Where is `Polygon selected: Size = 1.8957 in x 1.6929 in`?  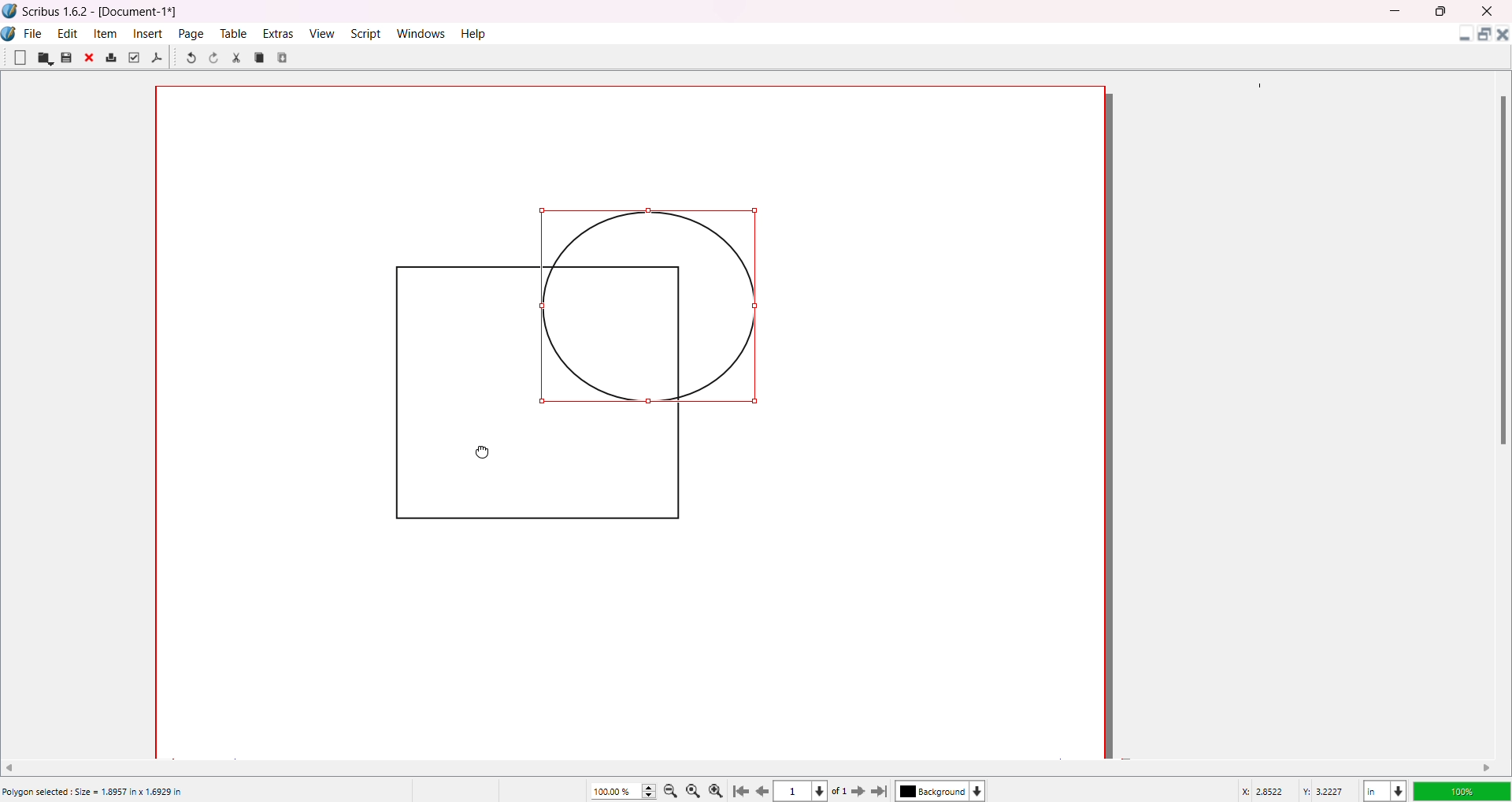
Polygon selected: Size = 1.8957 in x 1.6929 in is located at coordinates (94, 793).